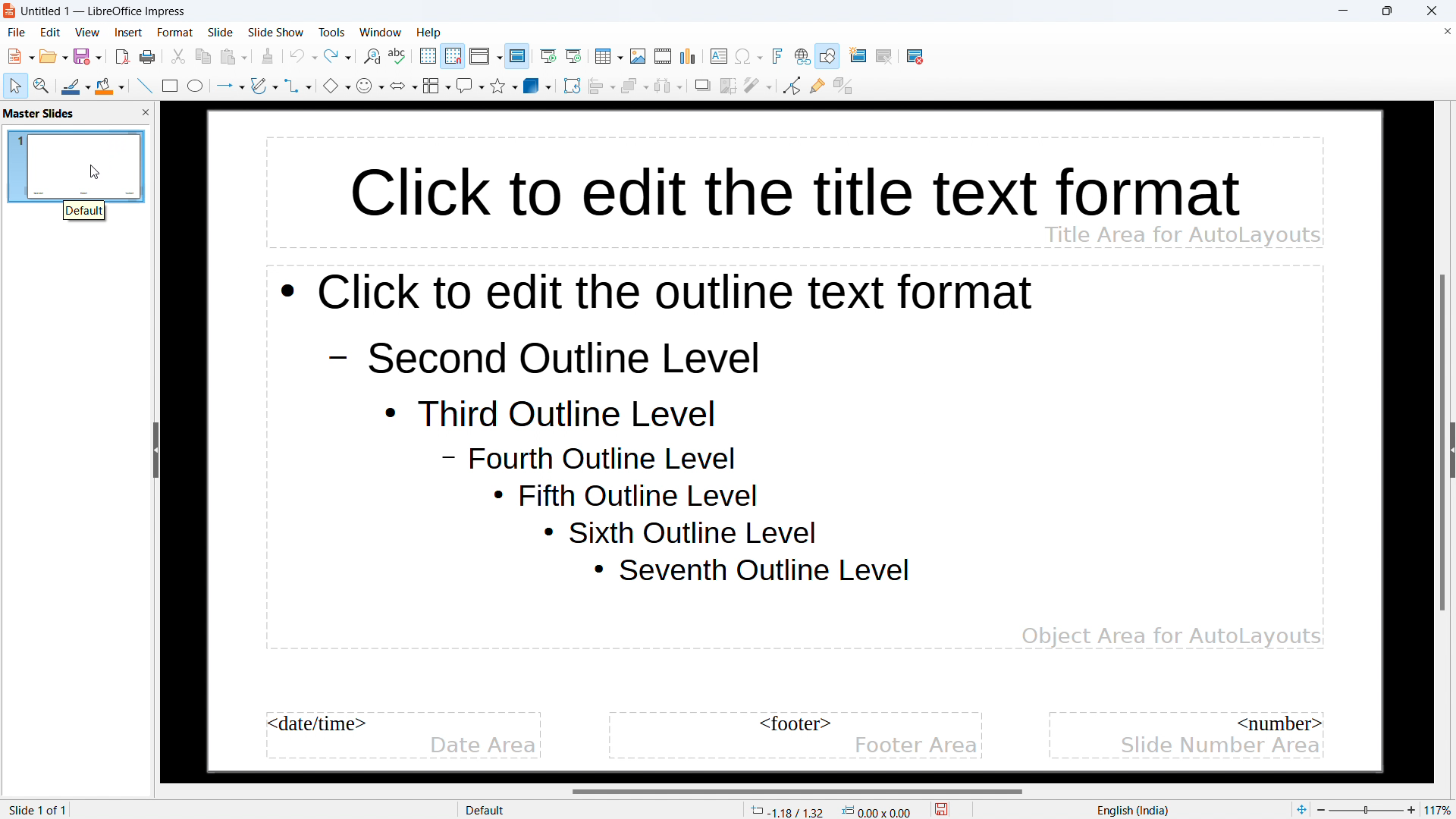 Image resolution: width=1456 pixels, height=819 pixels. Describe the element at coordinates (631, 496) in the screenshot. I see `Fifth outline level` at that location.